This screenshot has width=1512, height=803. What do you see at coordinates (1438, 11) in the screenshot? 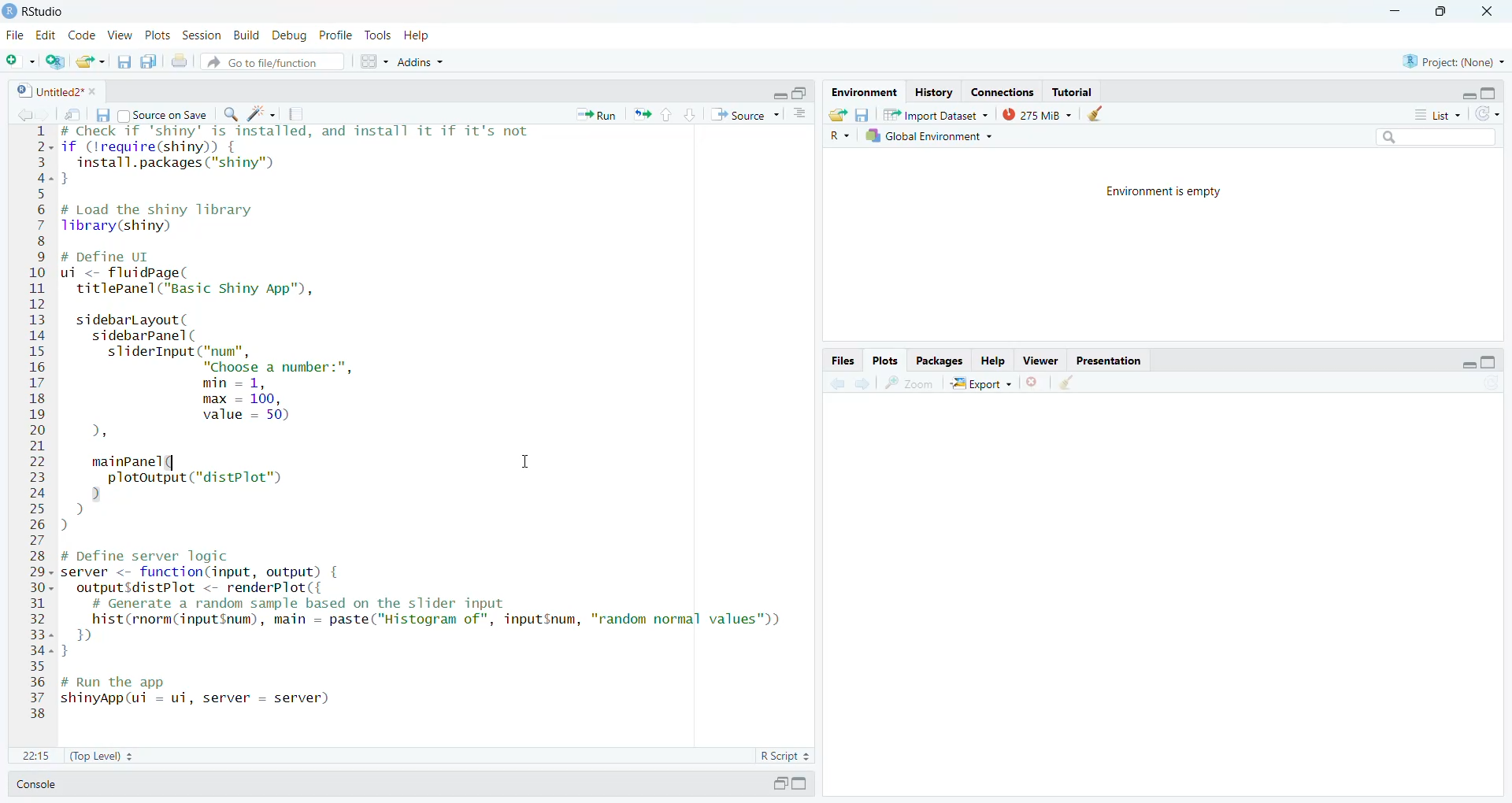
I see `resize` at bounding box center [1438, 11].